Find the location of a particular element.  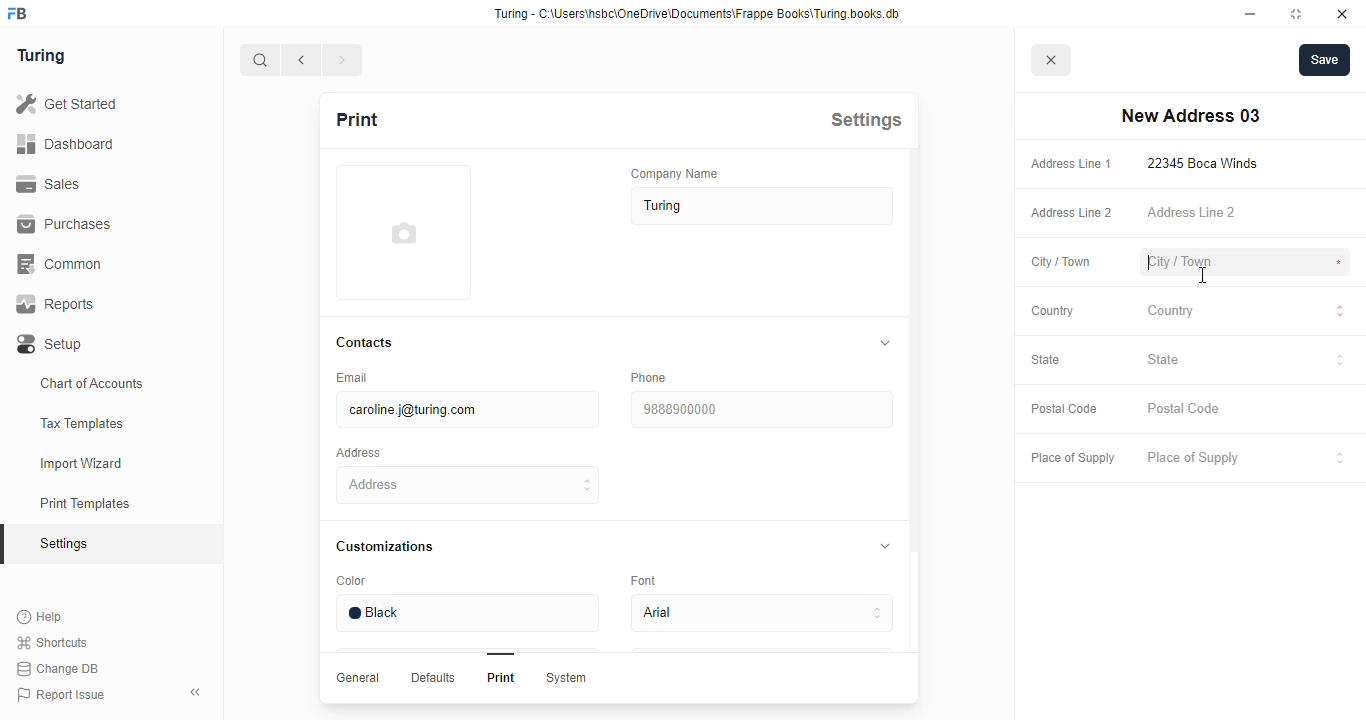

save is located at coordinates (1325, 60).